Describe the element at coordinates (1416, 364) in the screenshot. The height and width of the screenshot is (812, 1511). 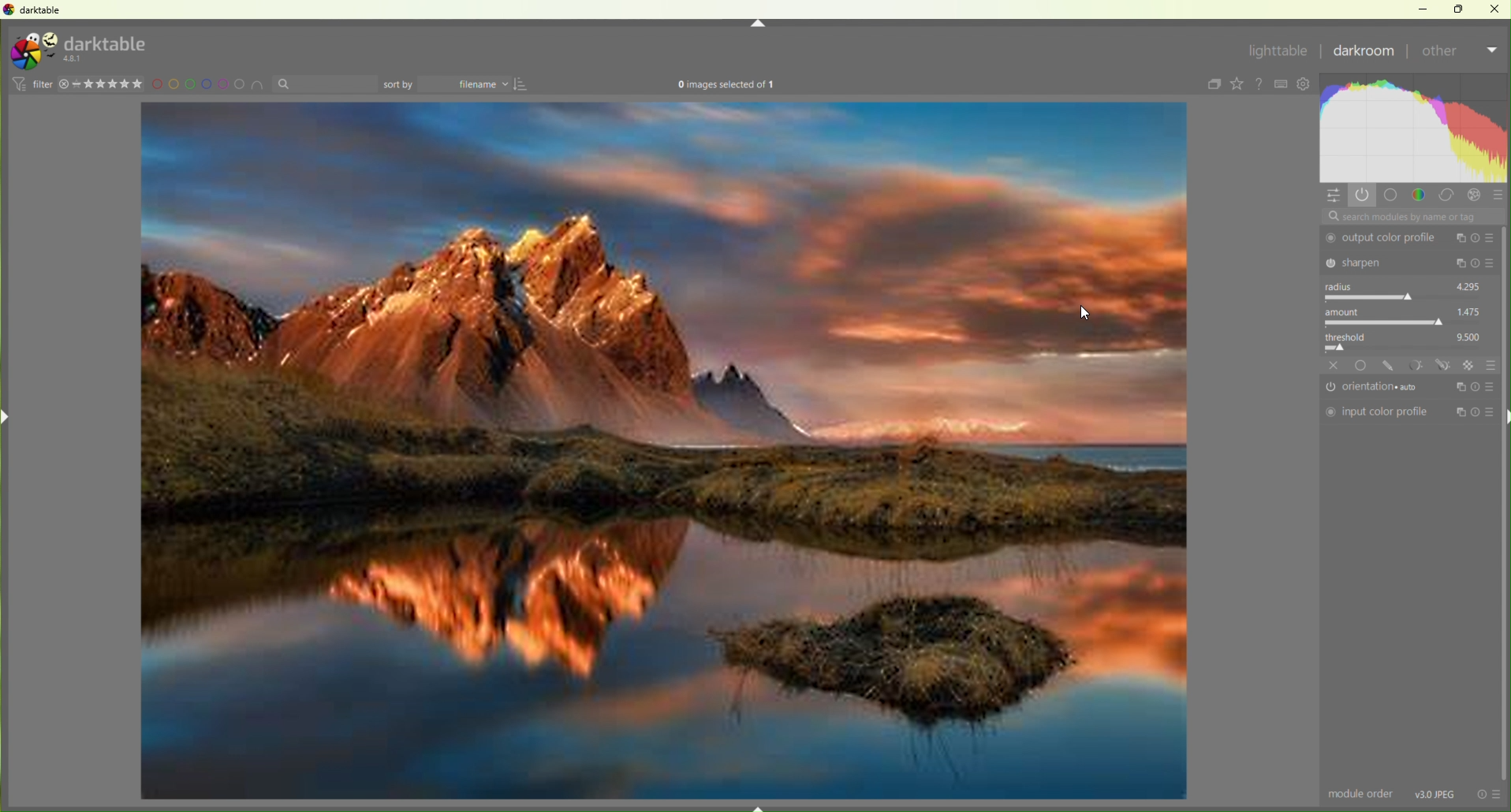
I see `tool` at that location.